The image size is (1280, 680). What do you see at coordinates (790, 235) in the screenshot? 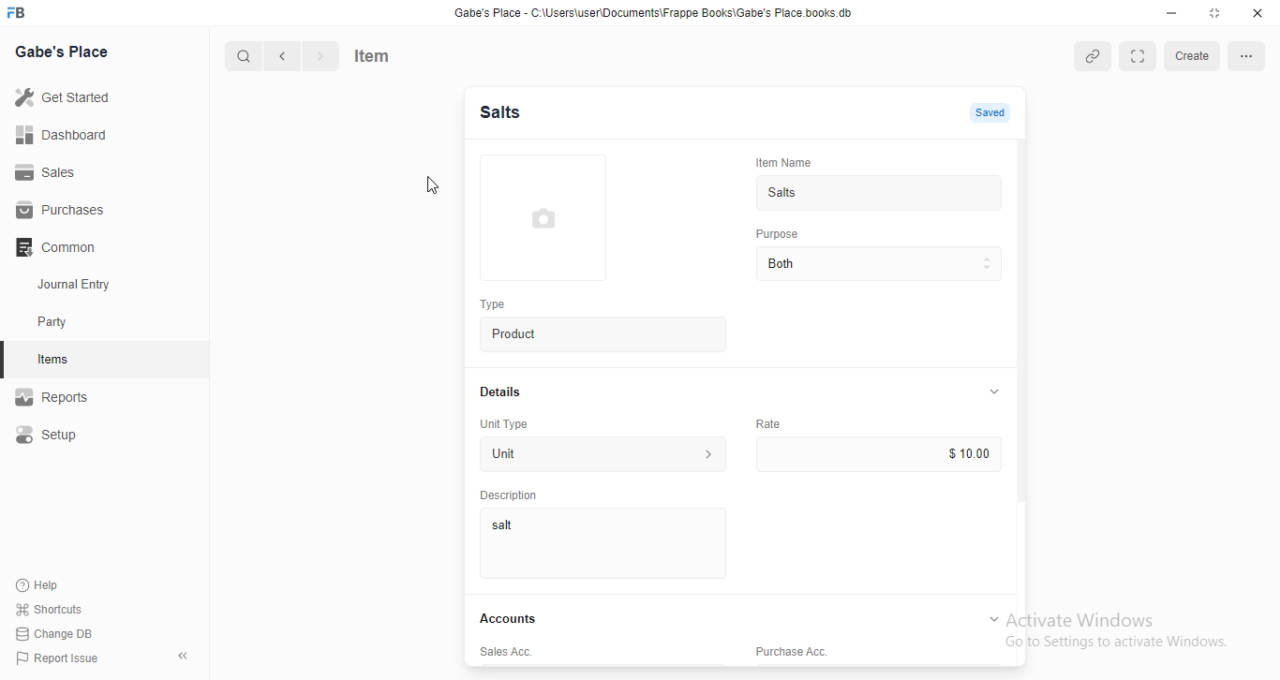
I see `Purpose` at bounding box center [790, 235].